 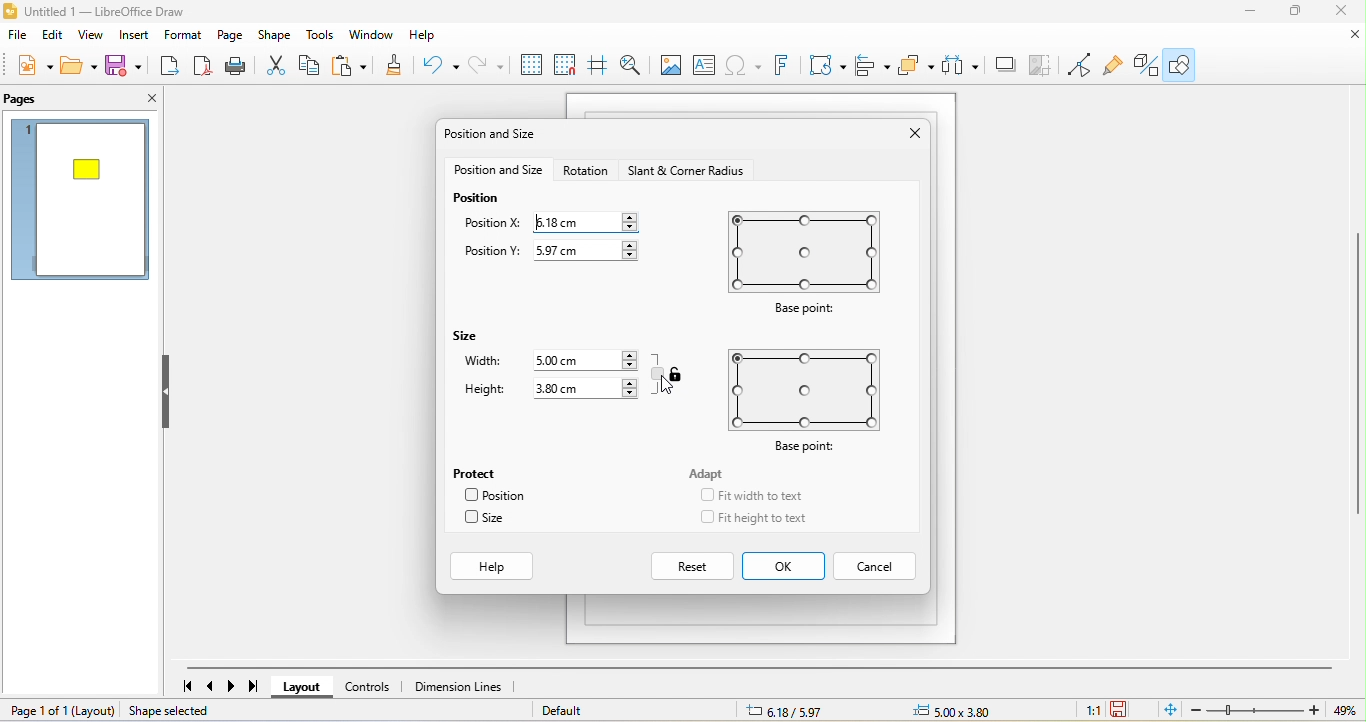 What do you see at coordinates (588, 251) in the screenshot?
I see `5.97 cm` at bounding box center [588, 251].